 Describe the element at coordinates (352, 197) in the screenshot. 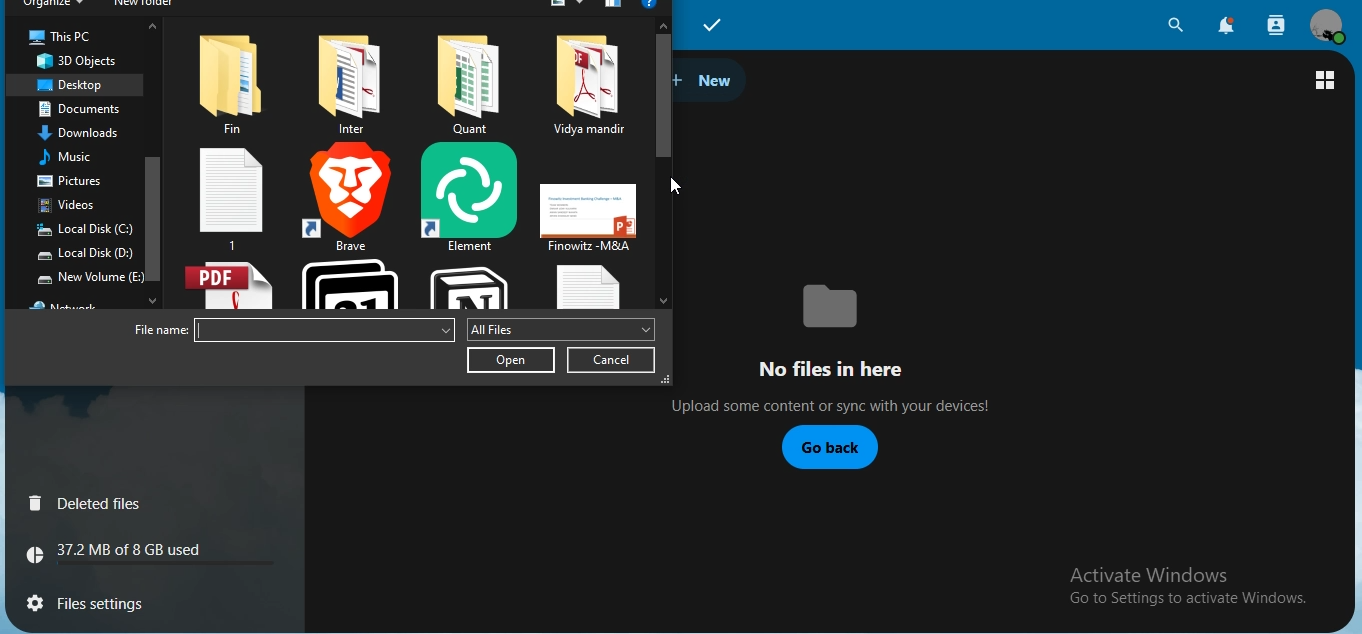

I see `brave` at that location.